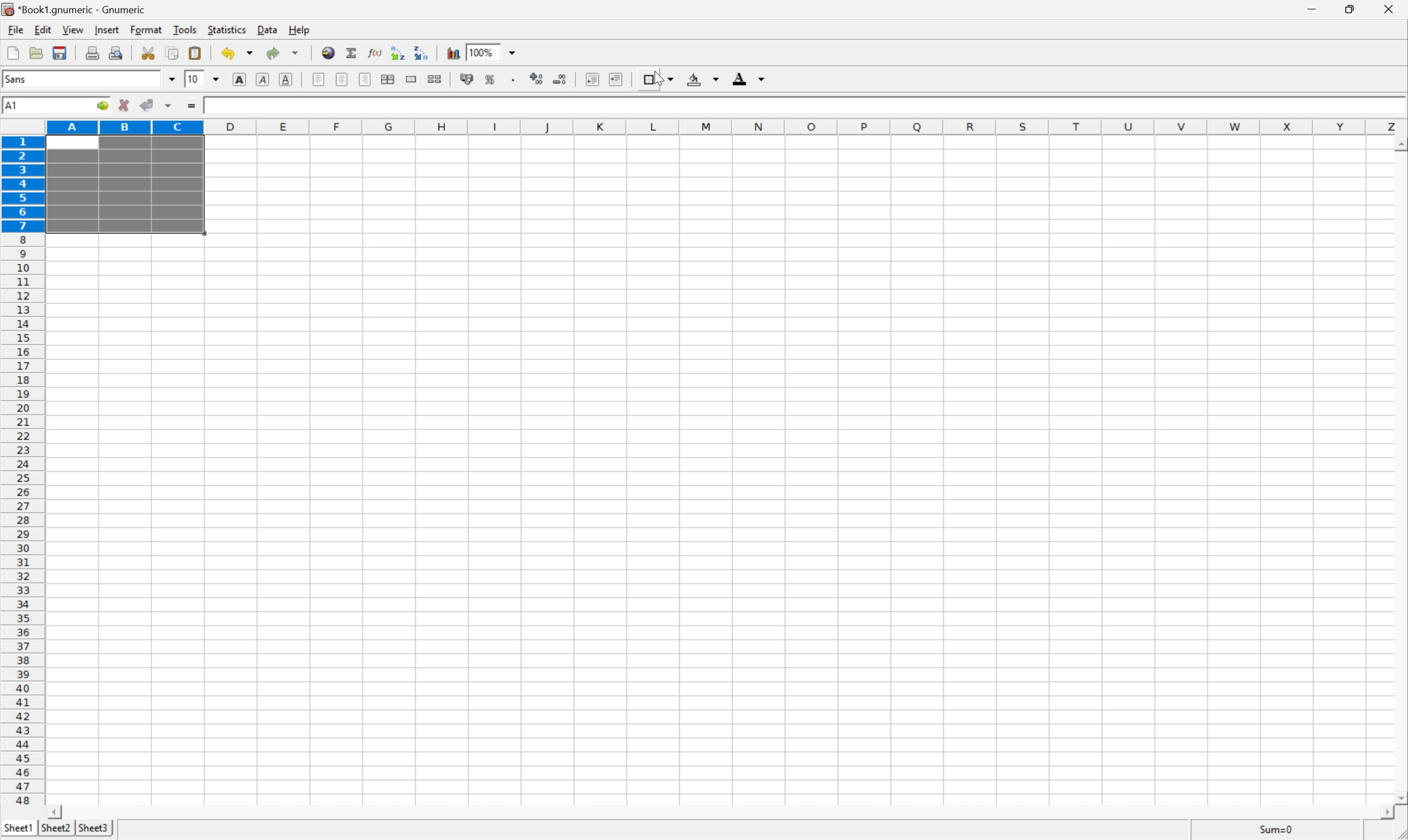  What do you see at coordinates (727, 126) in the screenshot?
I see `column numbers` at bounding box center [727, 126].